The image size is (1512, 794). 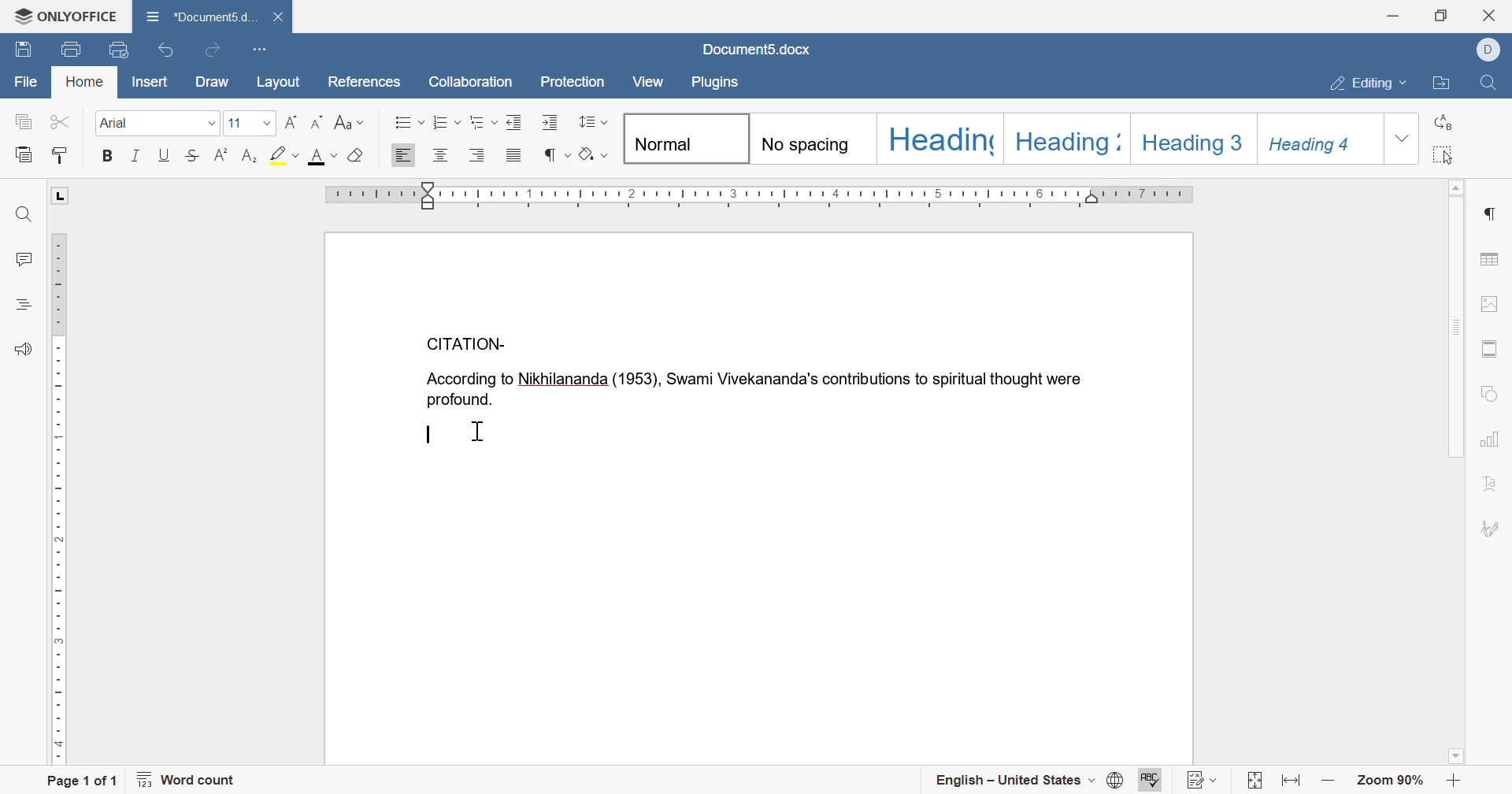 I want to click on file, so click(x=23, y=80).